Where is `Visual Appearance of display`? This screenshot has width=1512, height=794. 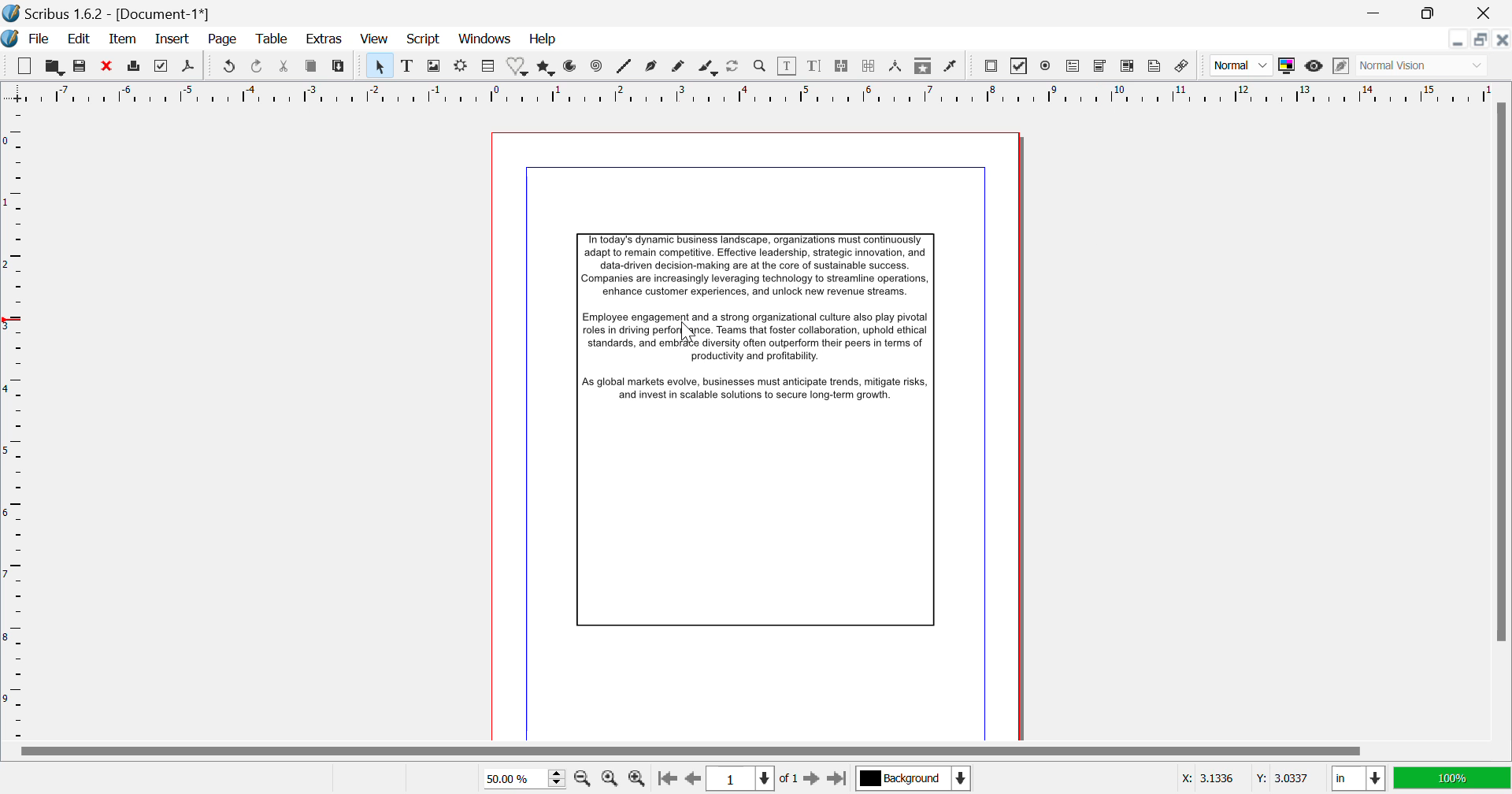
Visual Appearance of display is located at coordinates (1421, 65).